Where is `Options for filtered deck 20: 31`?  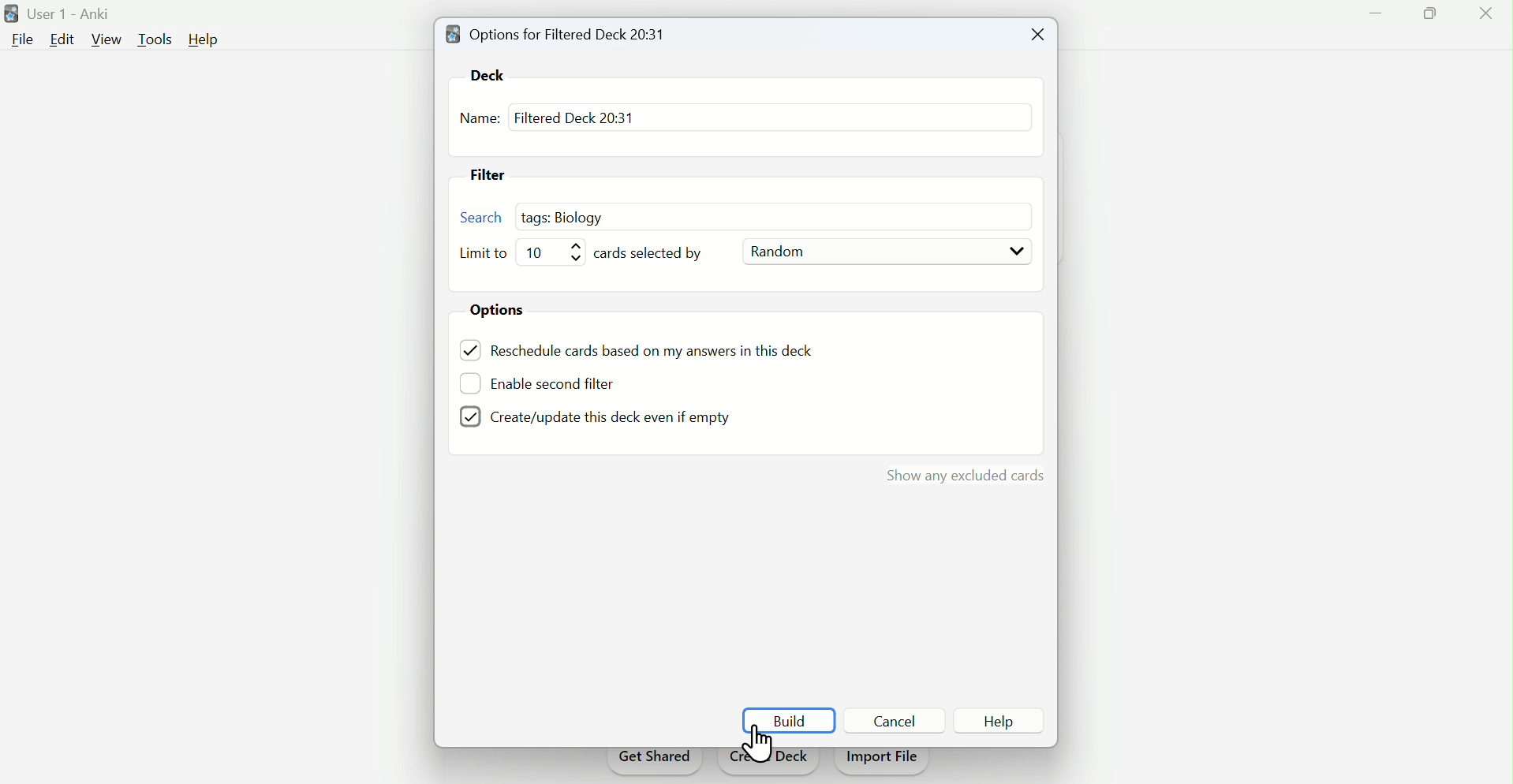 Options for filtered deck 20: 31 is located at coordinates (561, 33).